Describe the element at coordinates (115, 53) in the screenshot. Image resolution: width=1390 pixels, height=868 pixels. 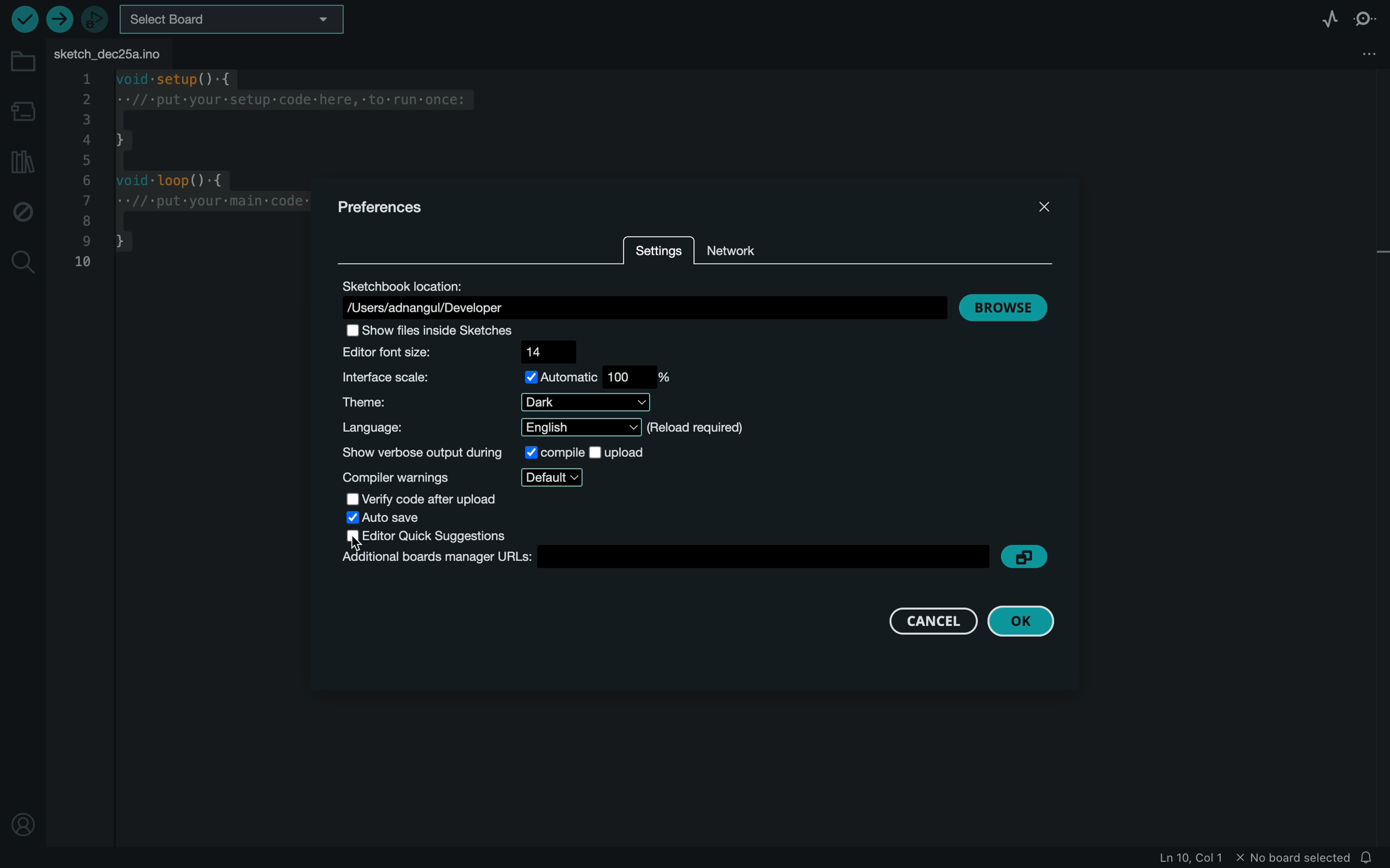
I see `file  tab` at that location.